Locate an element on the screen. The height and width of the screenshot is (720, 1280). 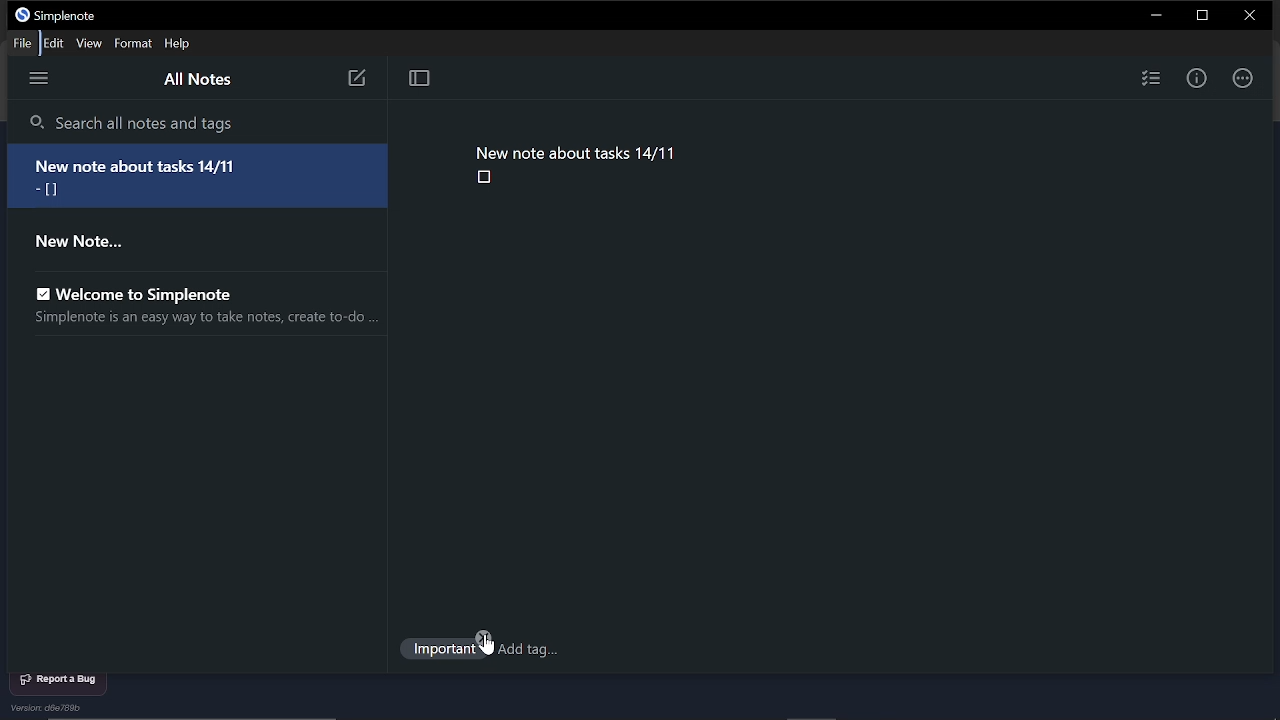
View is located at coordinates (88, 43).